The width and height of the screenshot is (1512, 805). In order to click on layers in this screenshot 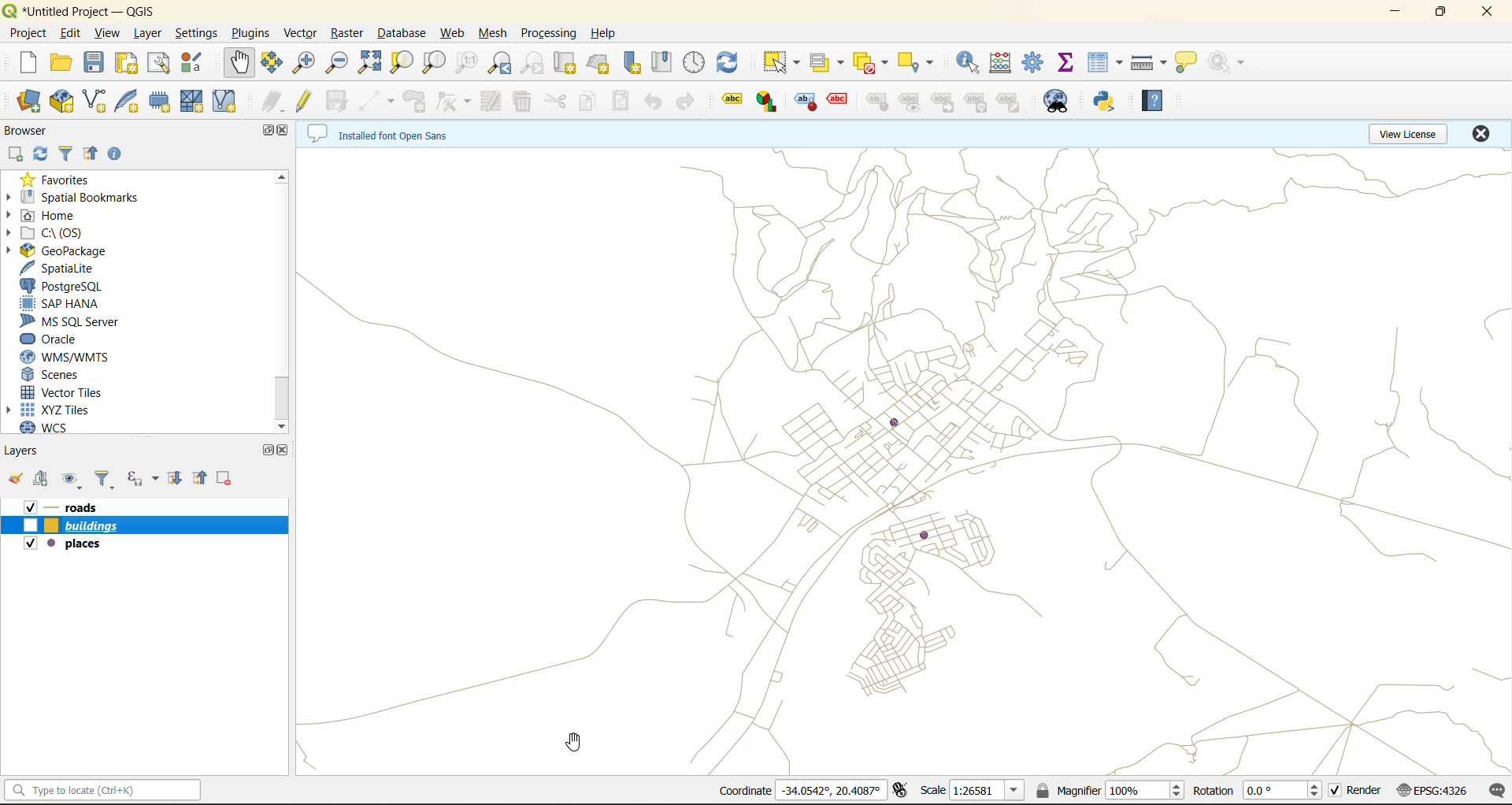, I will do `click(146, 523)`.